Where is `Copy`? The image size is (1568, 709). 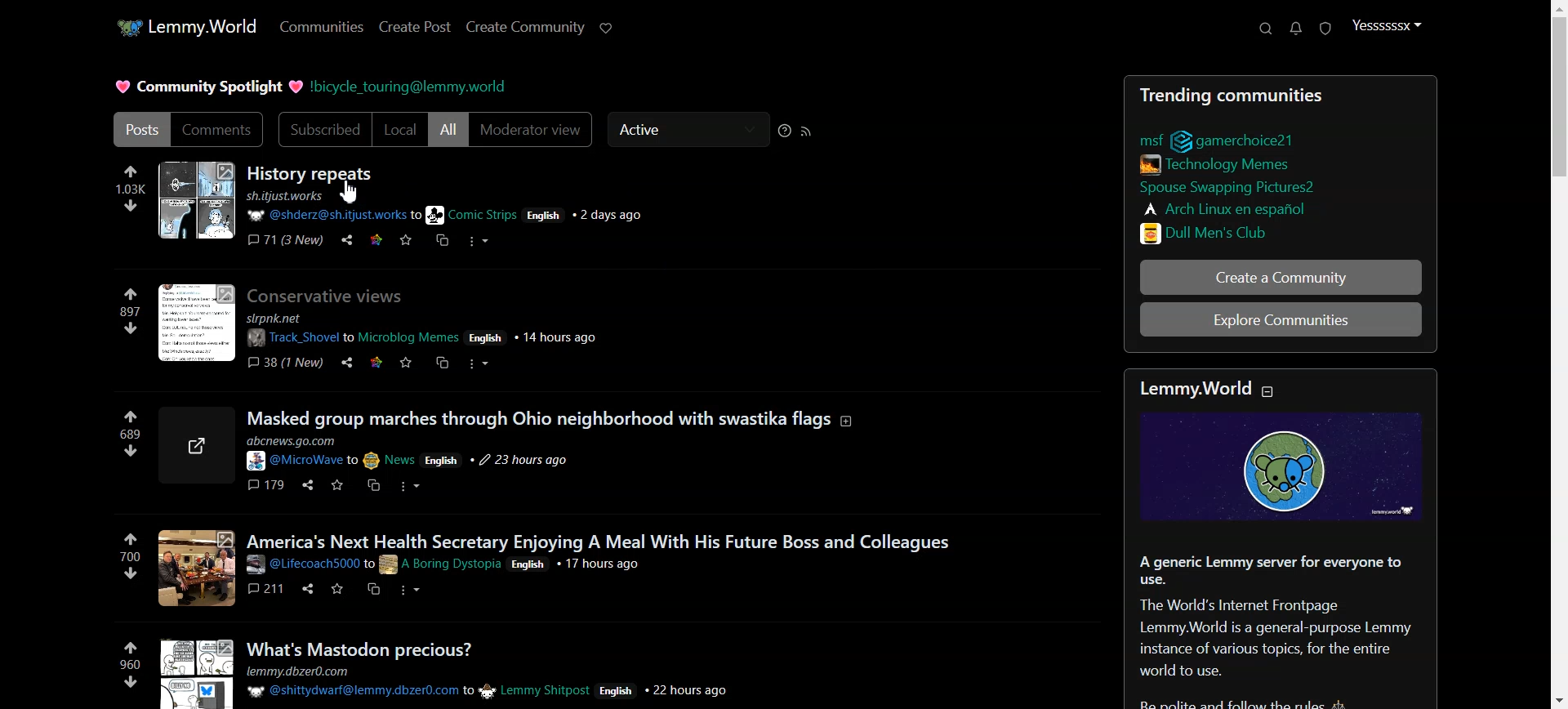 Copy is located at coordinates (441, 363).